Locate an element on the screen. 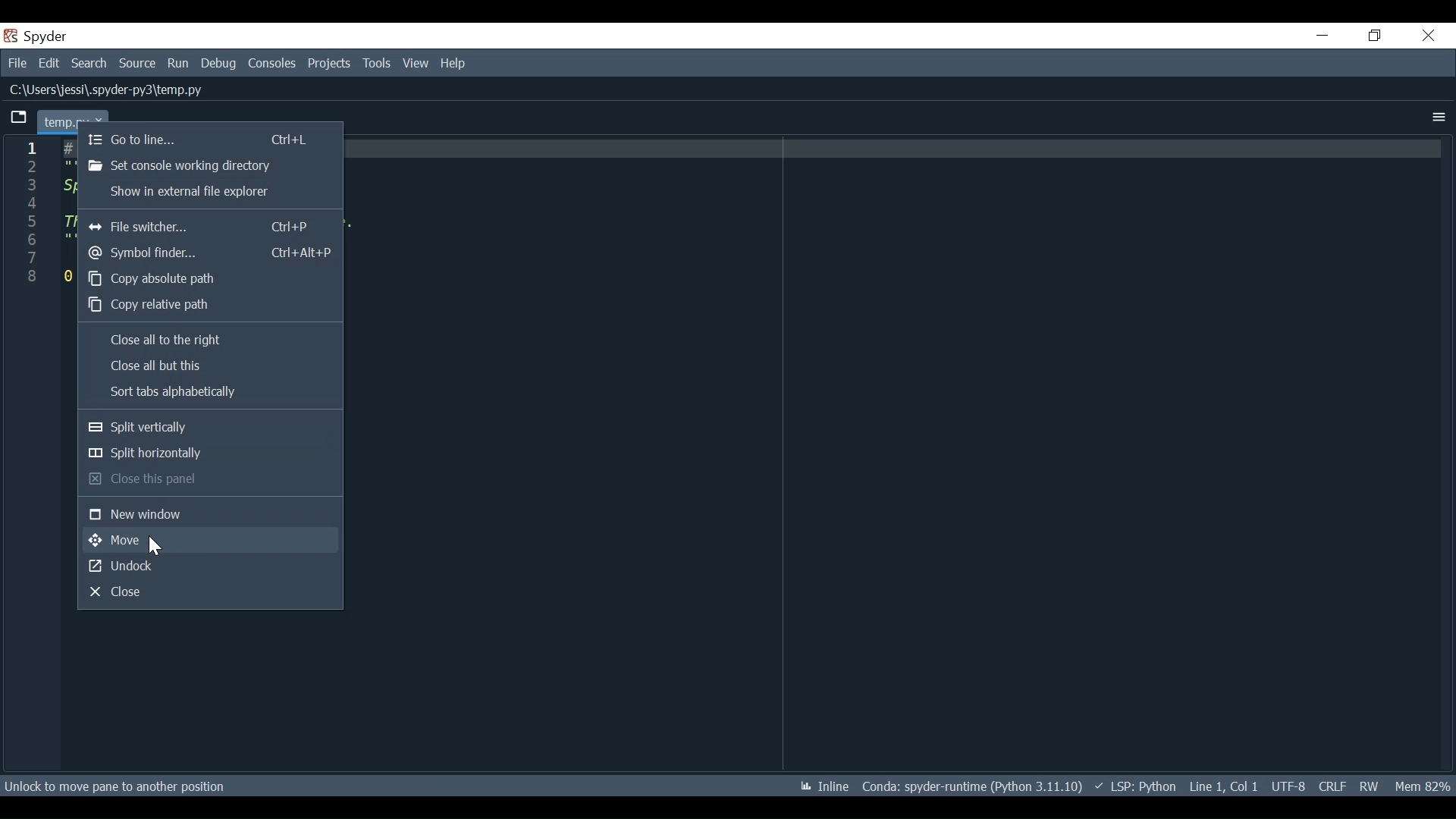 Image resolution: width=1456 pixels, height=819 pixels. Sow in external file explorer is located at coordinates (207, 192).